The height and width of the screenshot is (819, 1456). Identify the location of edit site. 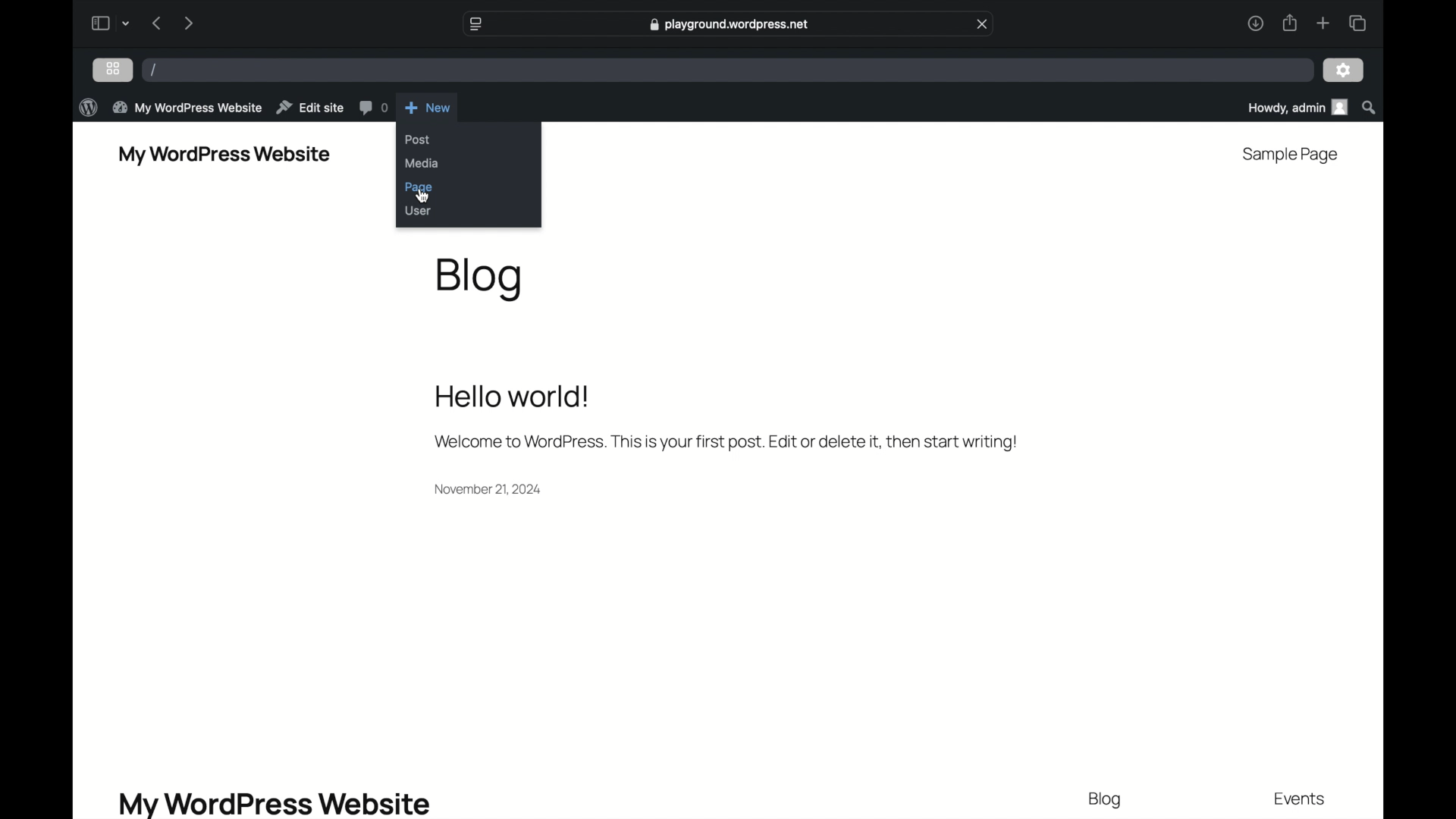
(310, 107).